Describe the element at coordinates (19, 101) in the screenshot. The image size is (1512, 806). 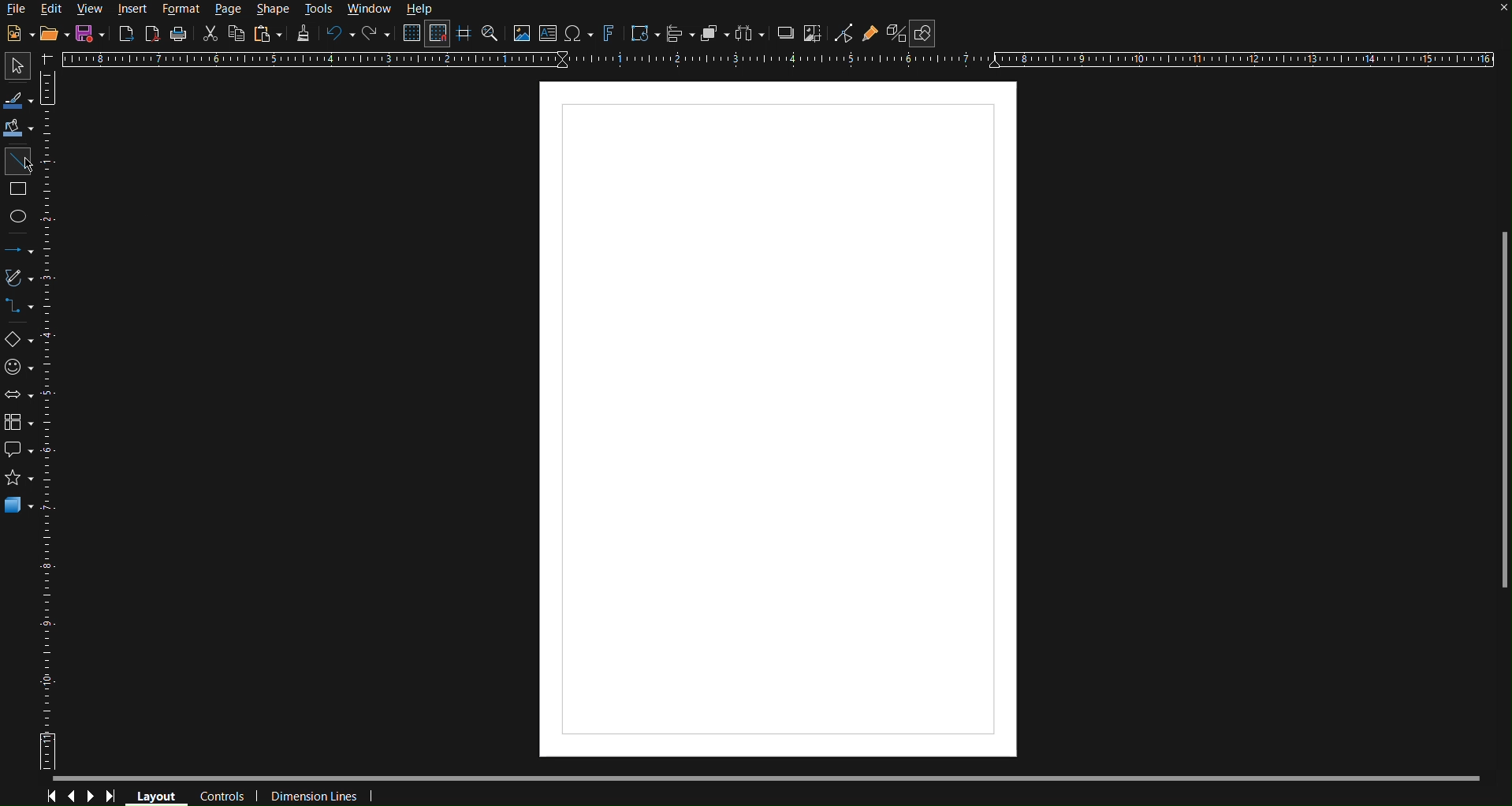
I see `Line color` at that location.